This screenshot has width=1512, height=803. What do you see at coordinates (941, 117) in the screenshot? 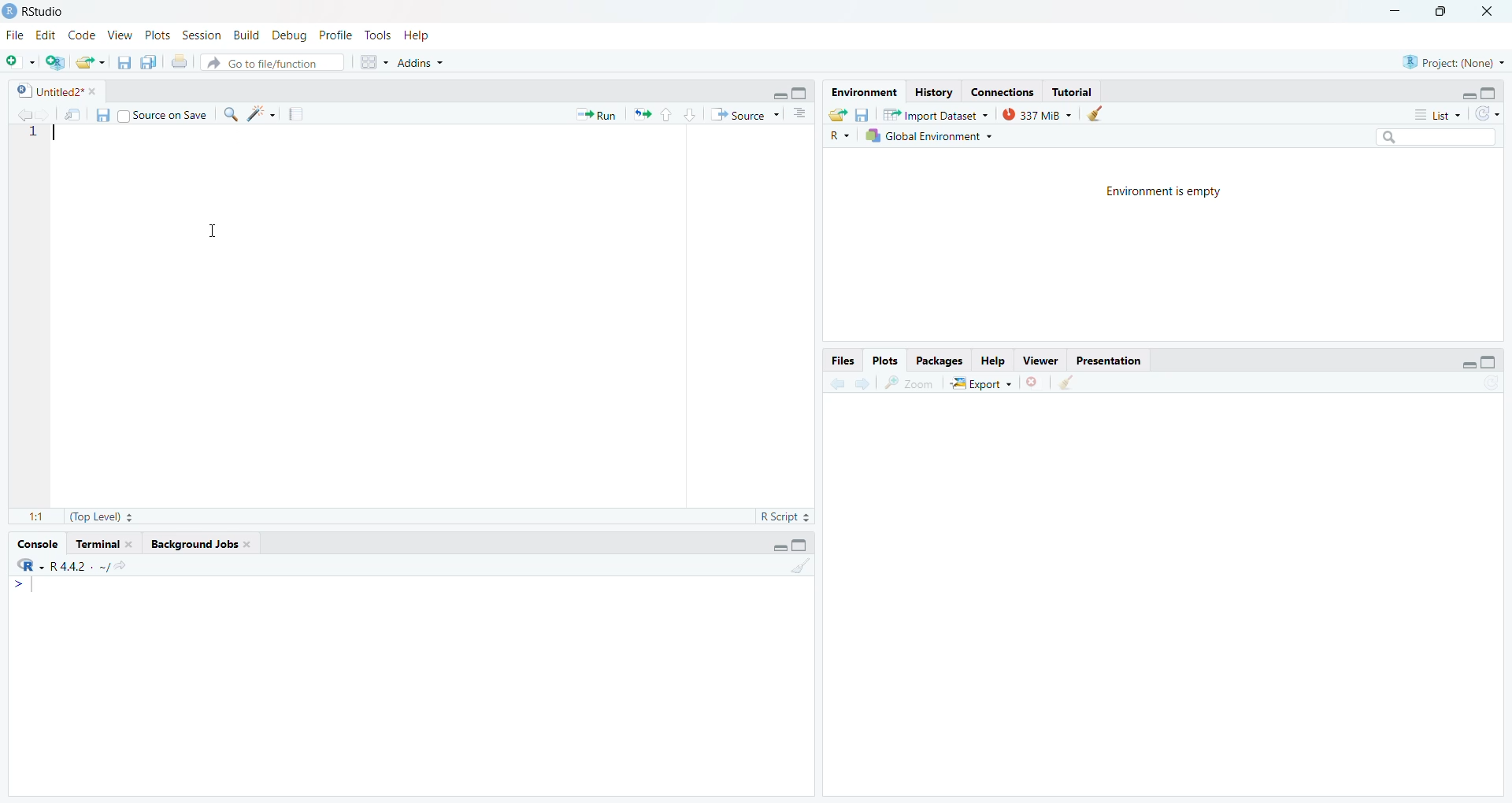
I see ` Import Dataset ~` at bounding box center [941, 117].